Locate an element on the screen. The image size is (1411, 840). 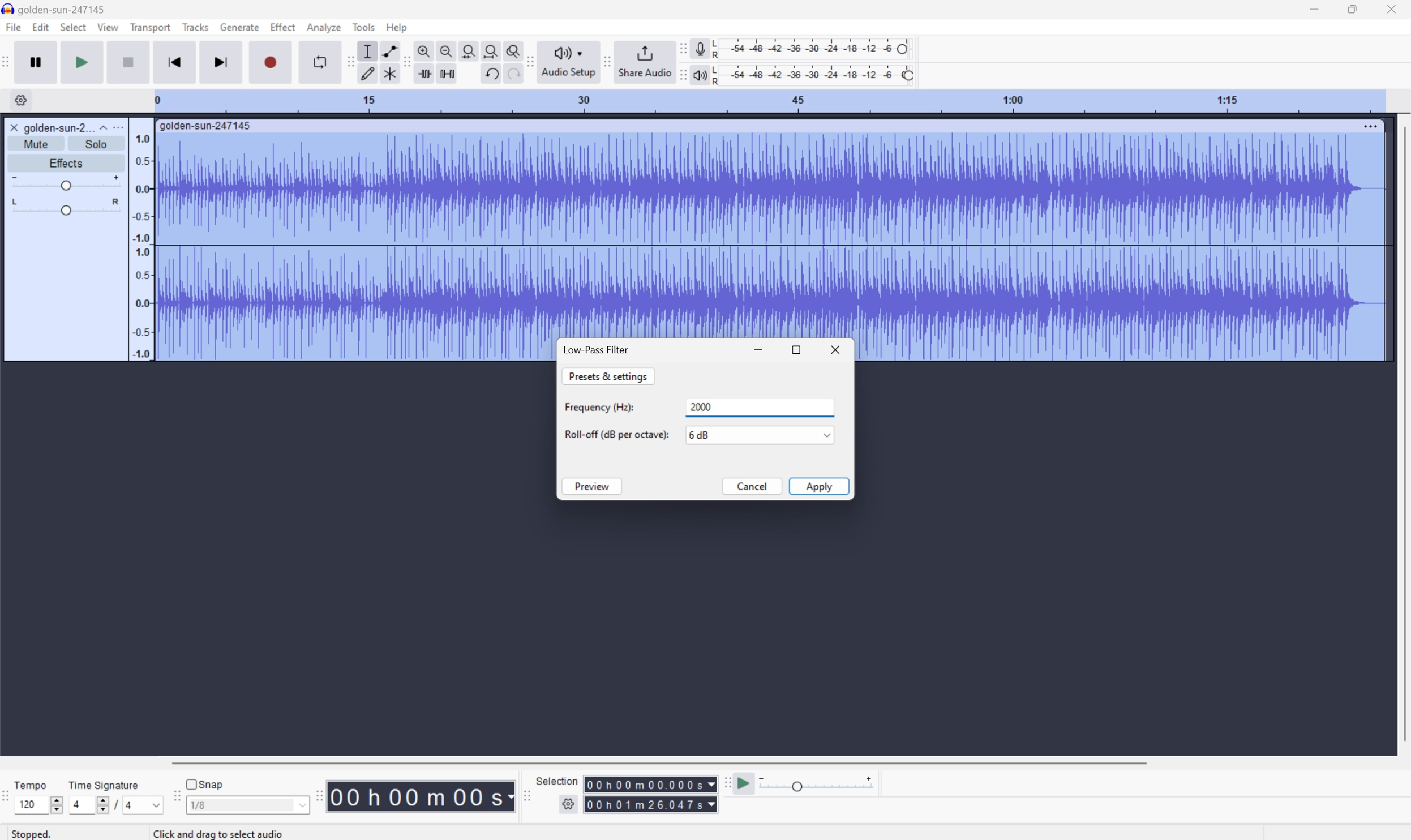
Silence audio selection is located at coordinates (447, 74).